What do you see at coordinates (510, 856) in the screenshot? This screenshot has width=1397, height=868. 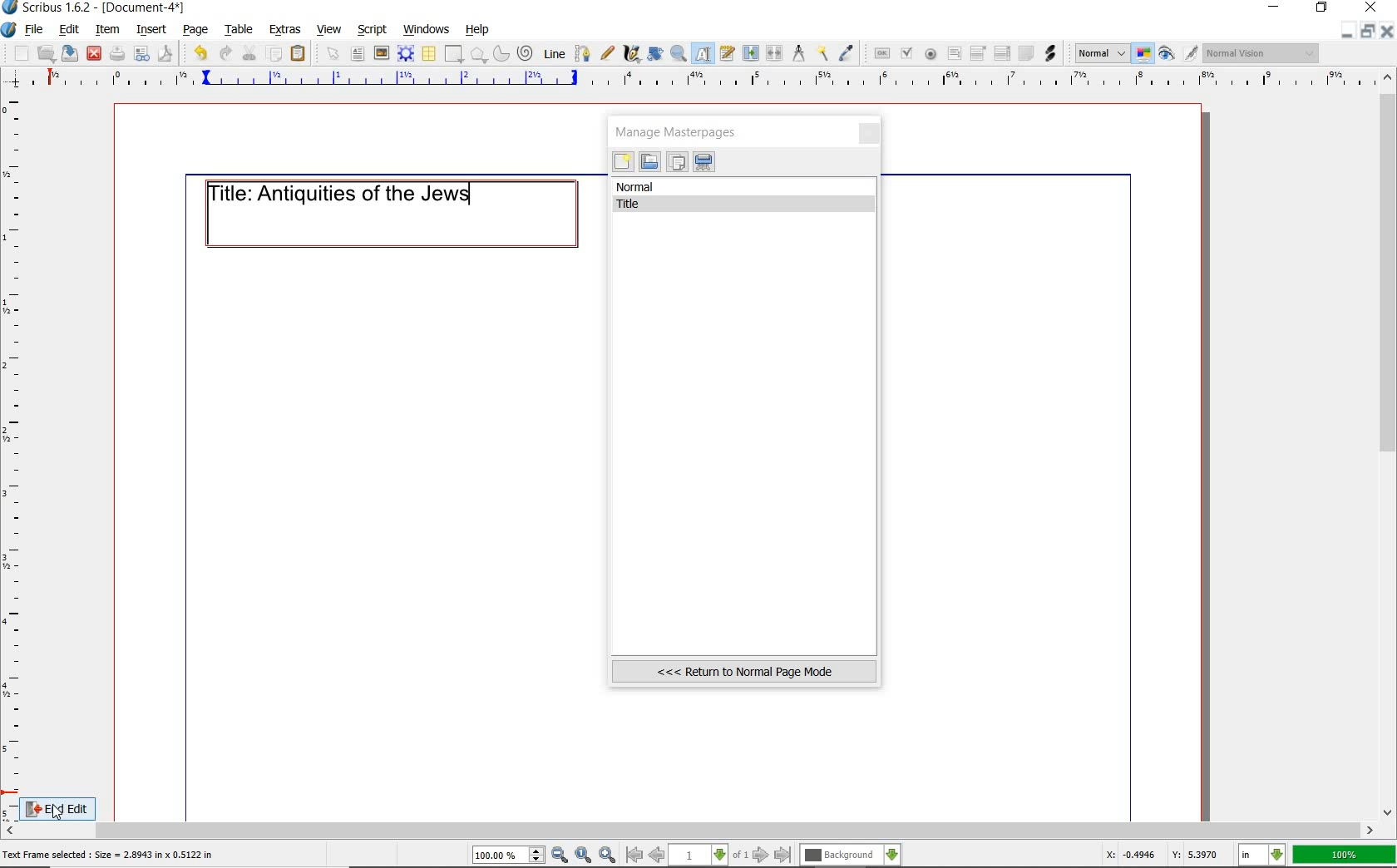 I see `100.00%` at bounding box center [510, 856].